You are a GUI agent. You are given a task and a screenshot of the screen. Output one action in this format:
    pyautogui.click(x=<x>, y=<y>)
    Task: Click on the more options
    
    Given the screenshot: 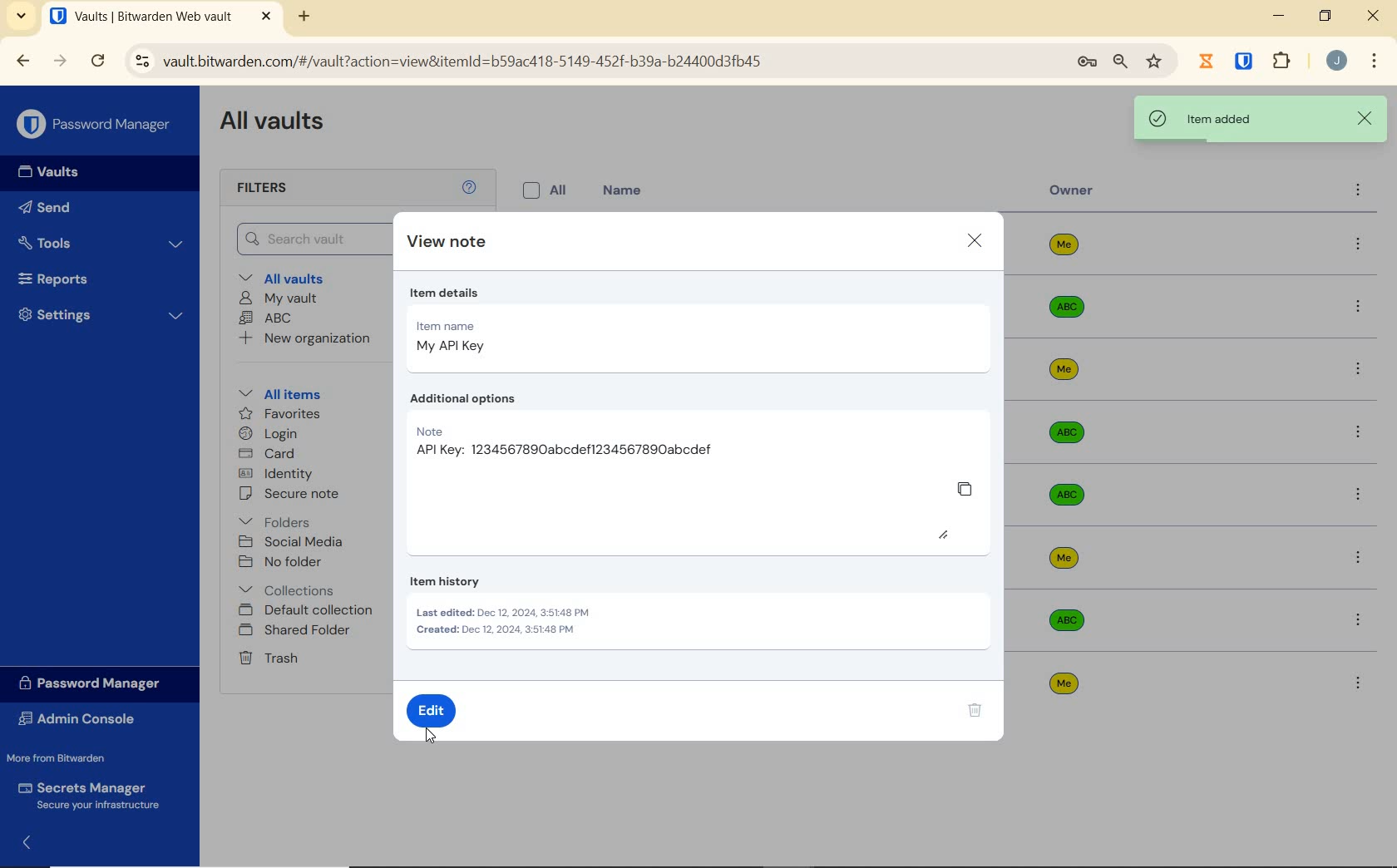 What is the action you would take?
    pyautogui.click(x=1357, y=432)
    